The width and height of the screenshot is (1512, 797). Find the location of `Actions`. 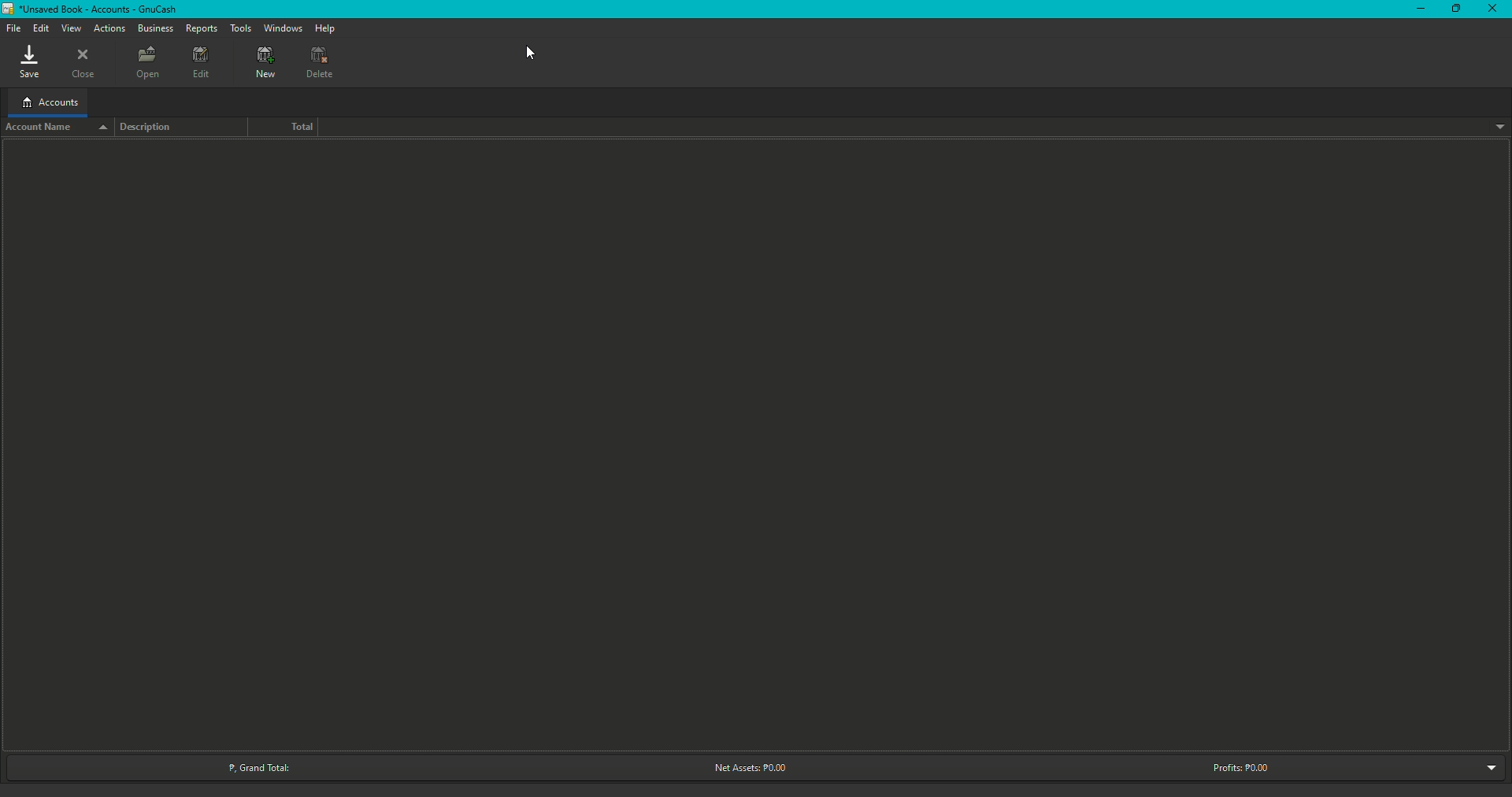

Actions is located at coordinates (108, 28).